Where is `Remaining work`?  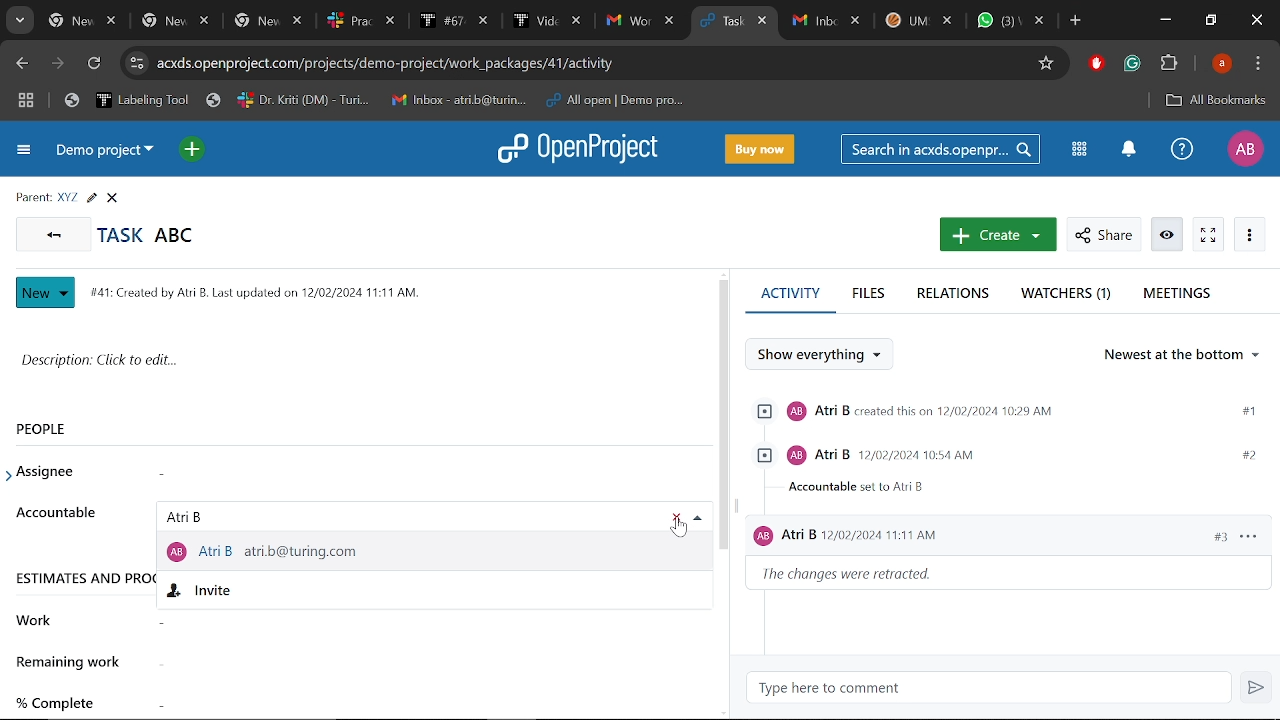
Remaining work is located at coordinates (71, 667).